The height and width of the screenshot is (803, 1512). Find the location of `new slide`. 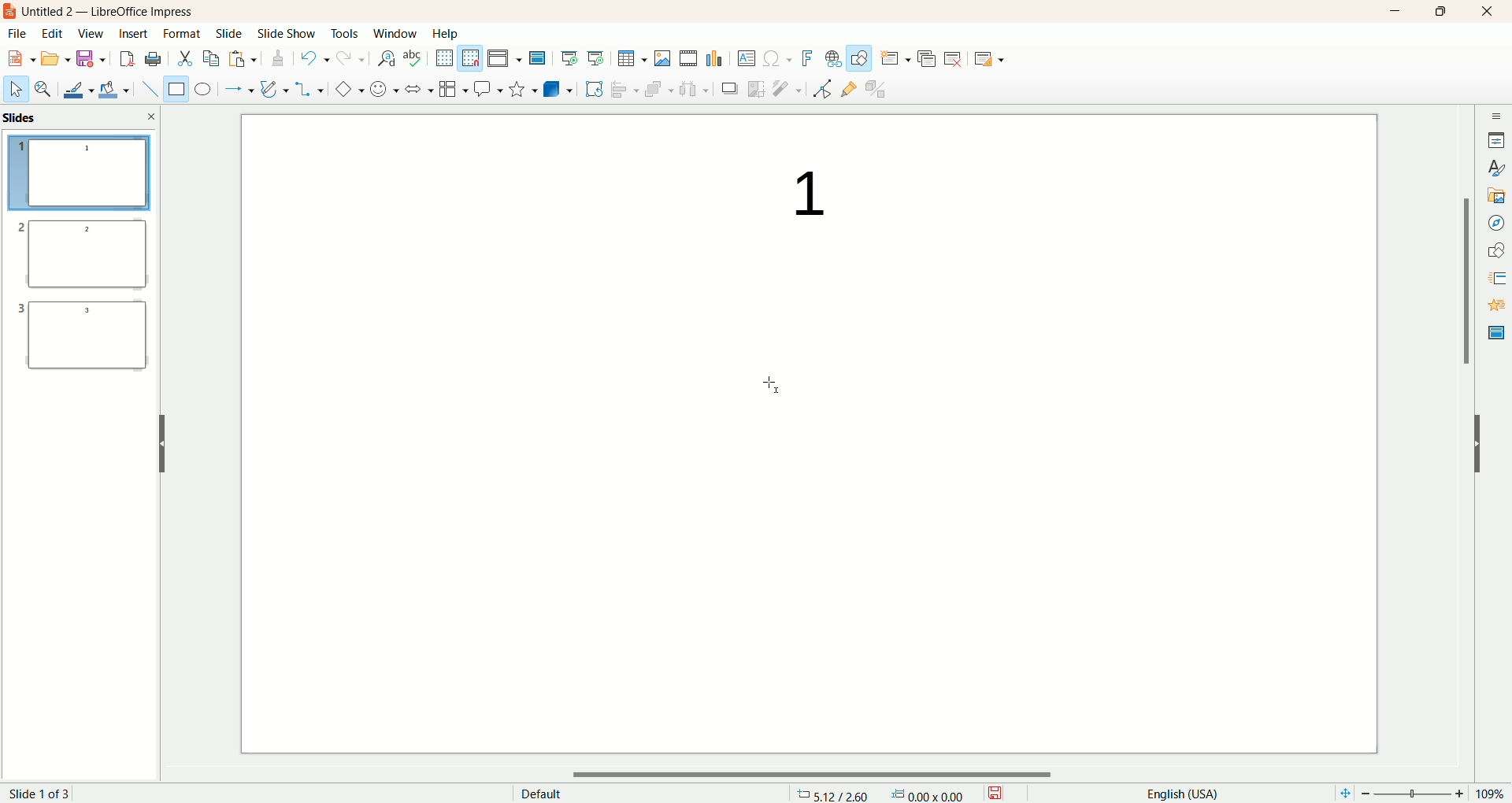

new slide is located at coordinates (895, 57).